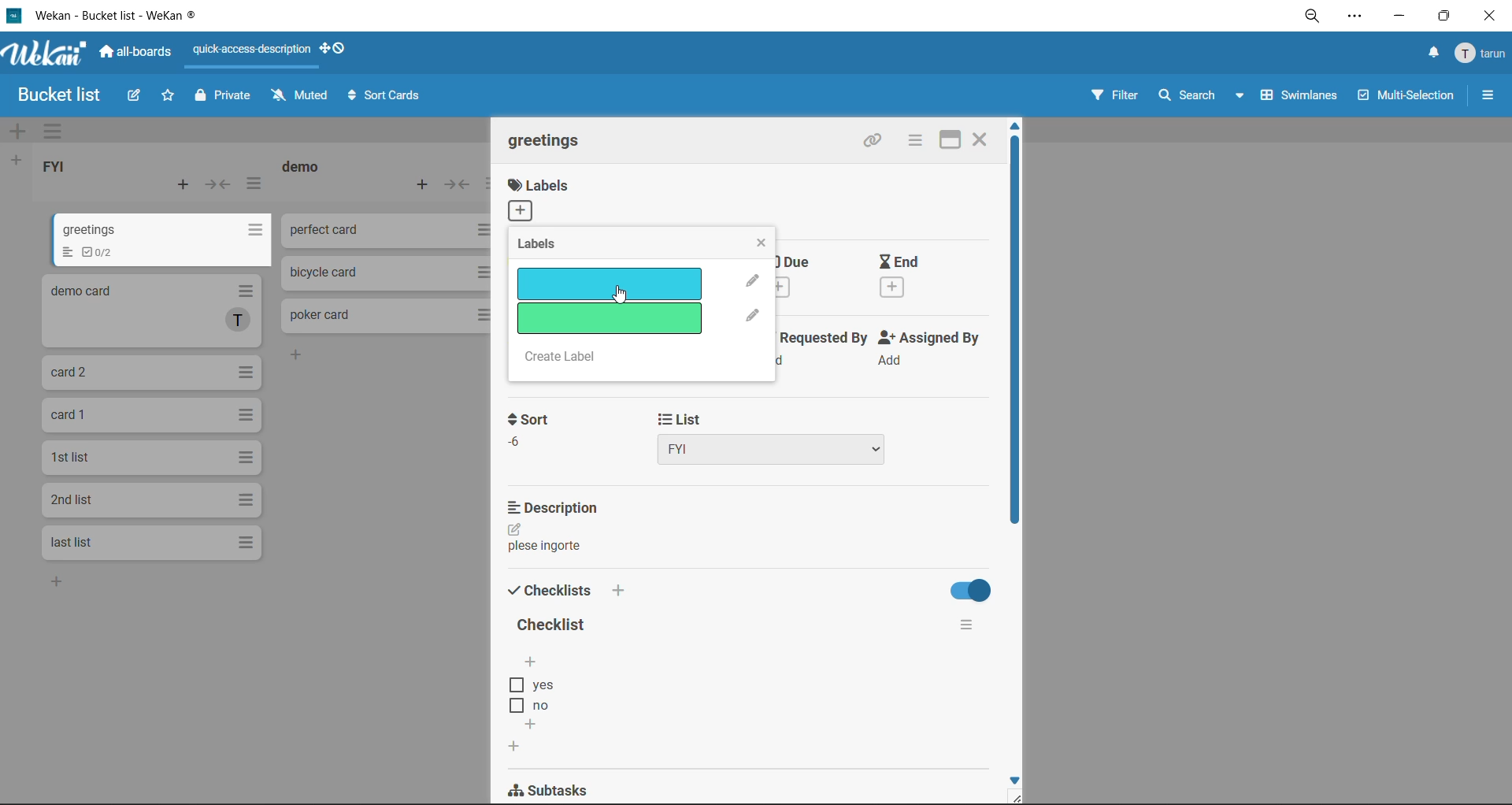 This screenshot has width=1512, height=805. I want to click on list title, so click(55, 165).